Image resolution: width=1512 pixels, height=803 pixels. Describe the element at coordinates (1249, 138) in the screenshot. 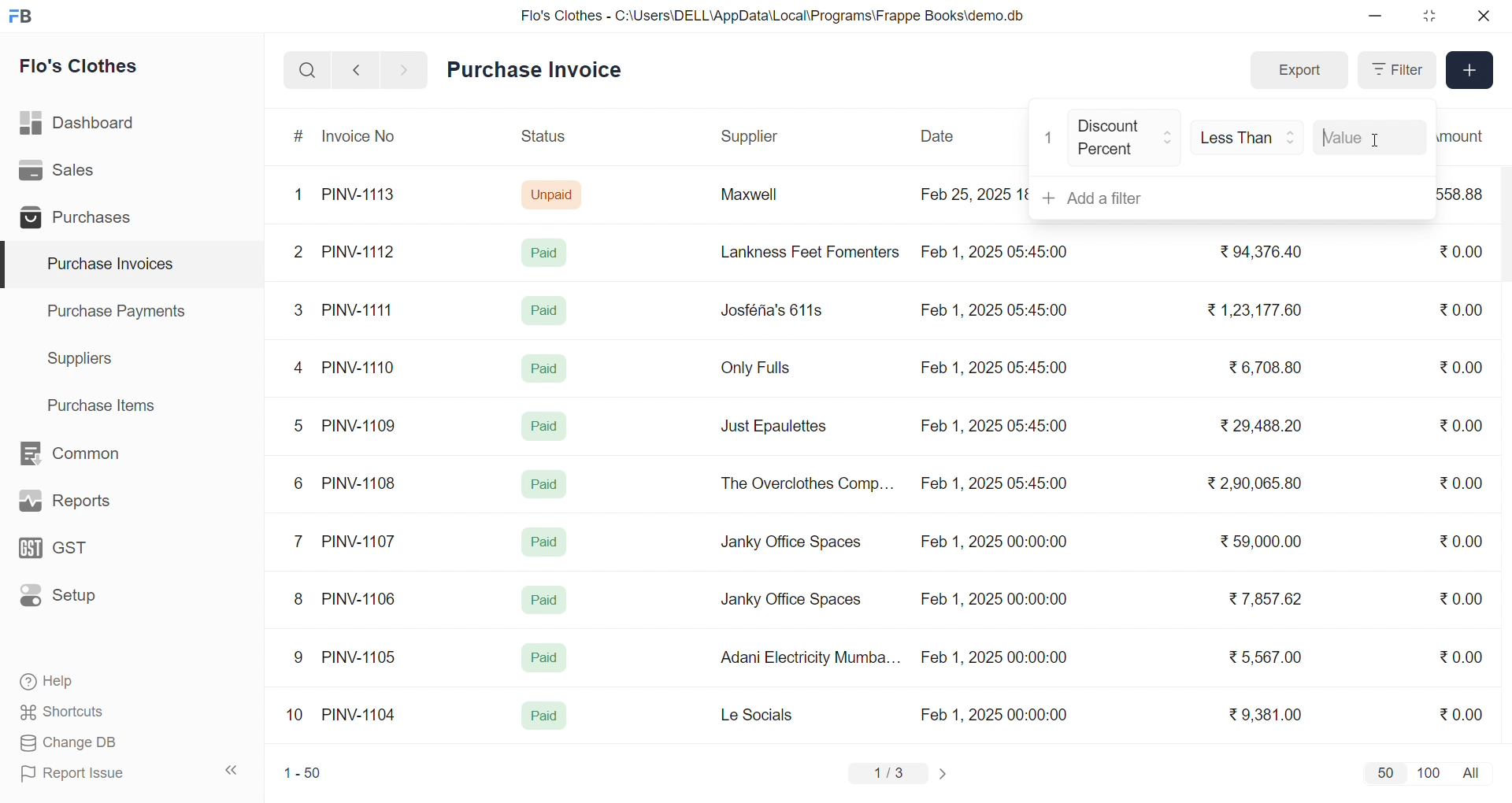

I see `Less Than` at that location.